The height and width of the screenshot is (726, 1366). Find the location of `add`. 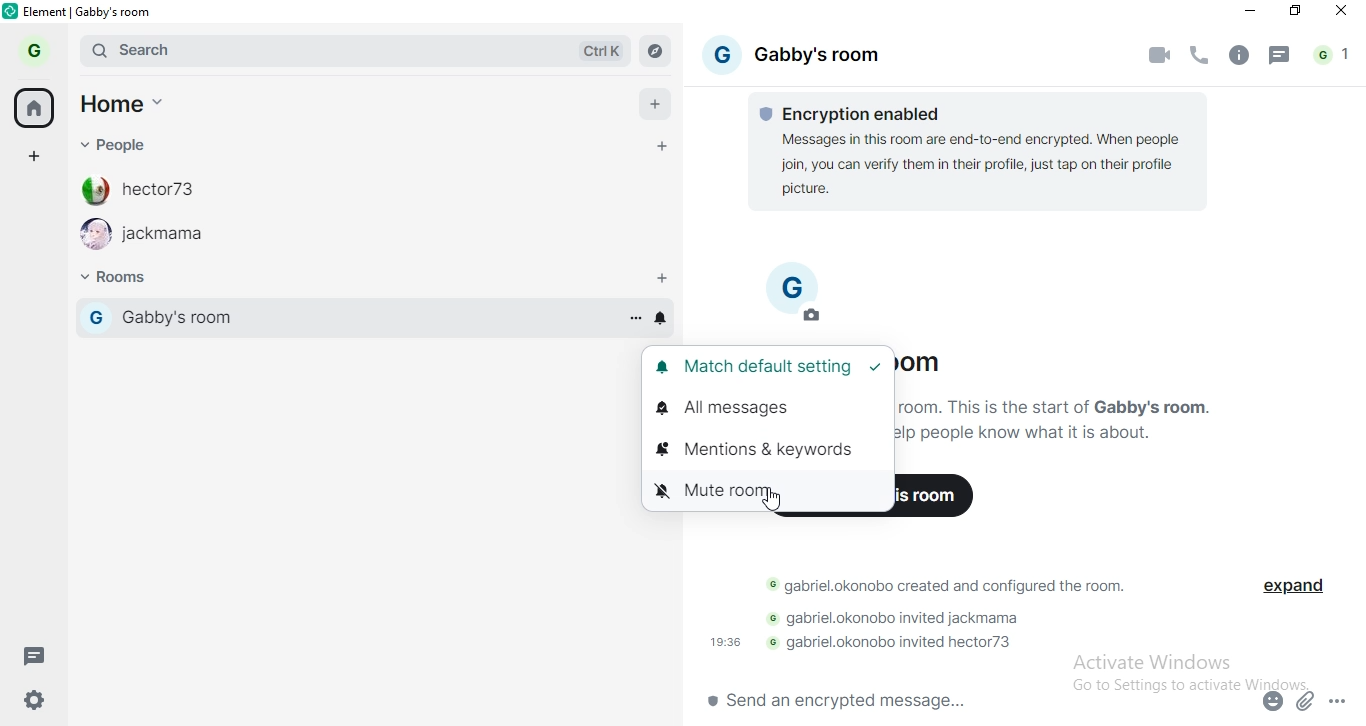

add is located at coordinates (654, 104).